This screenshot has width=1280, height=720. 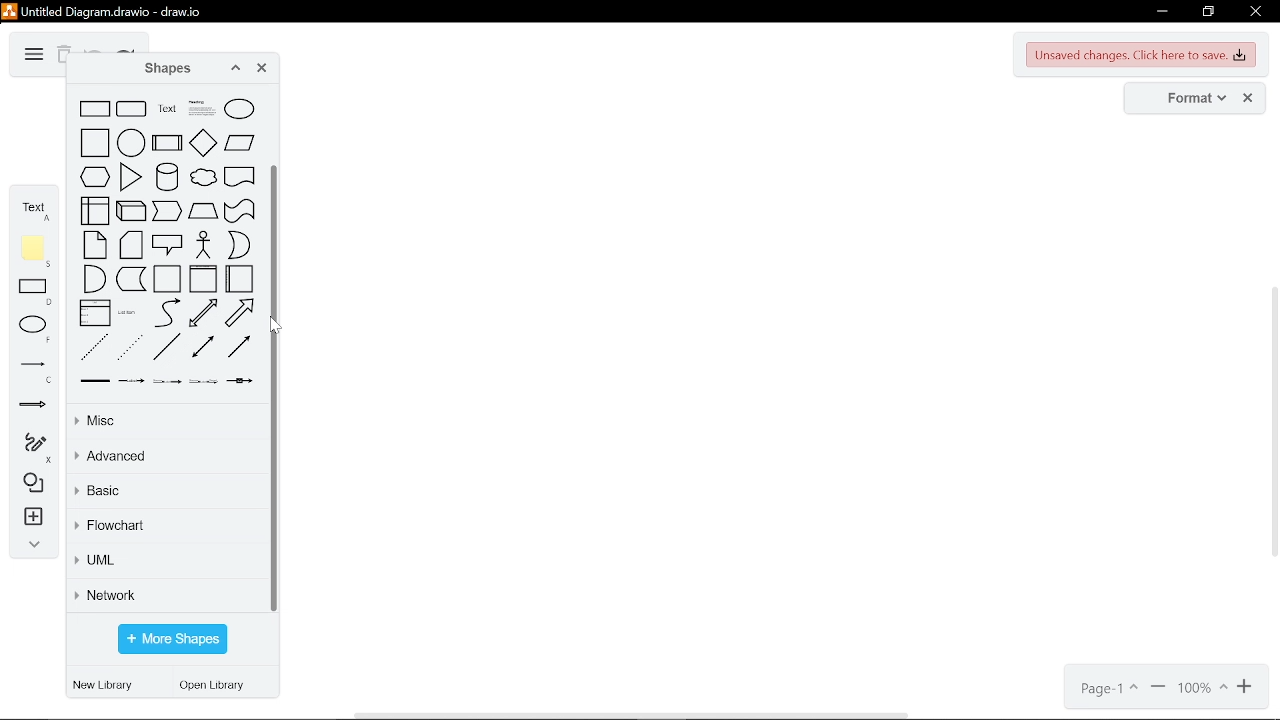 I want to click on network, so click(x=168, y=594).